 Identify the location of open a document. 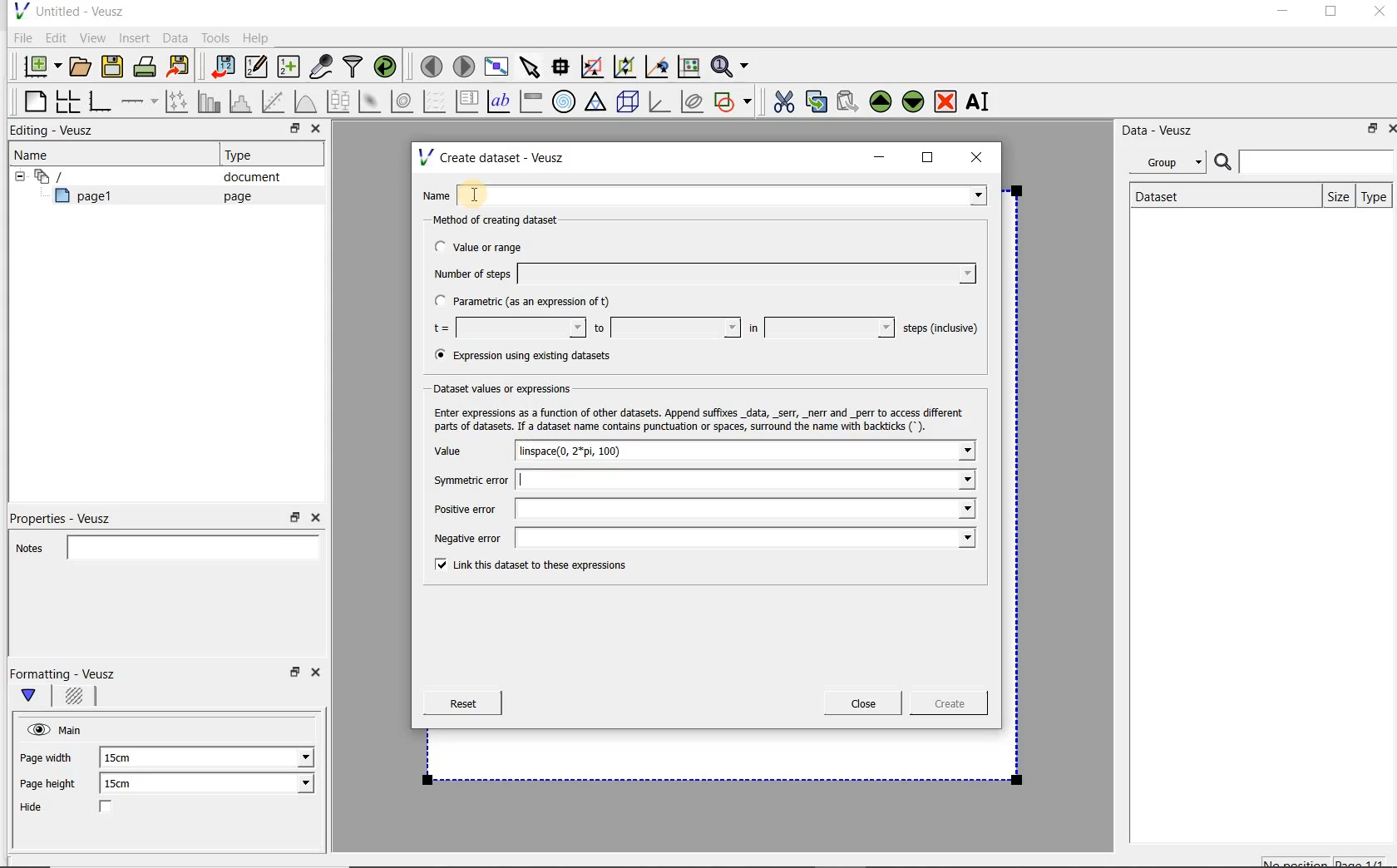
(82, 65).